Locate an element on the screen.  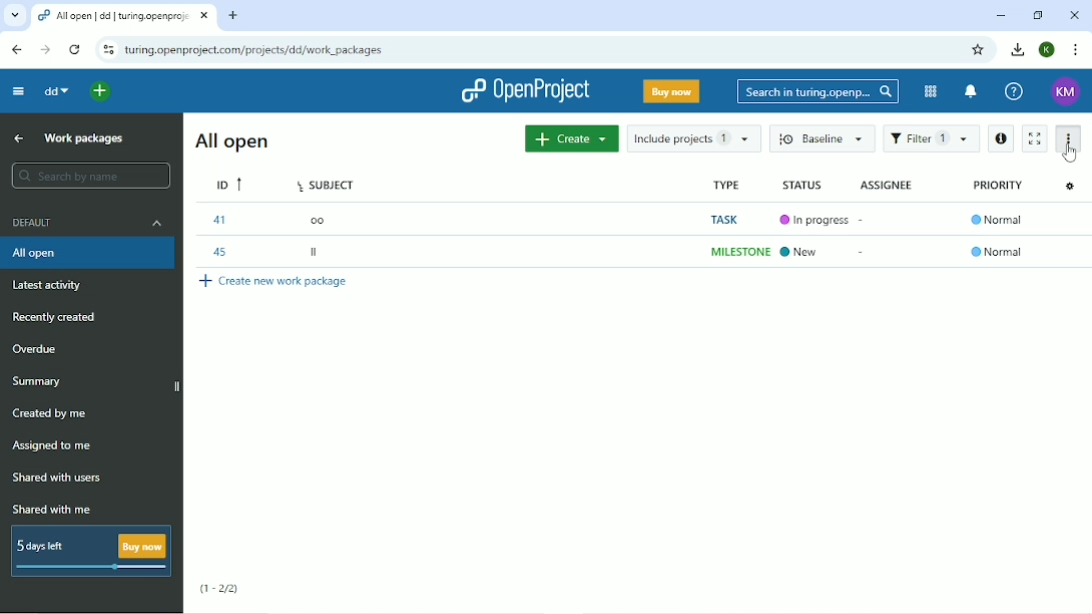
Buy now is located at coordinates (673, 91).